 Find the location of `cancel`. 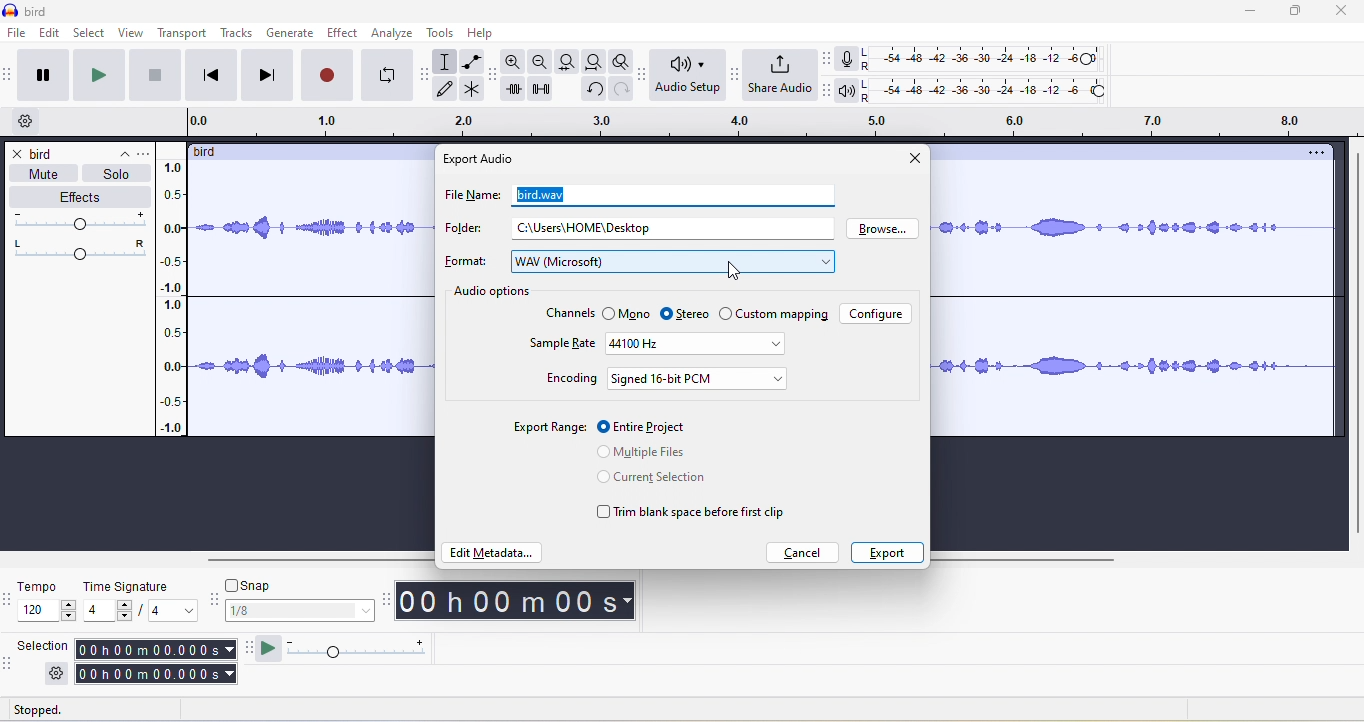

cancel is located at coordinates (804, 552).